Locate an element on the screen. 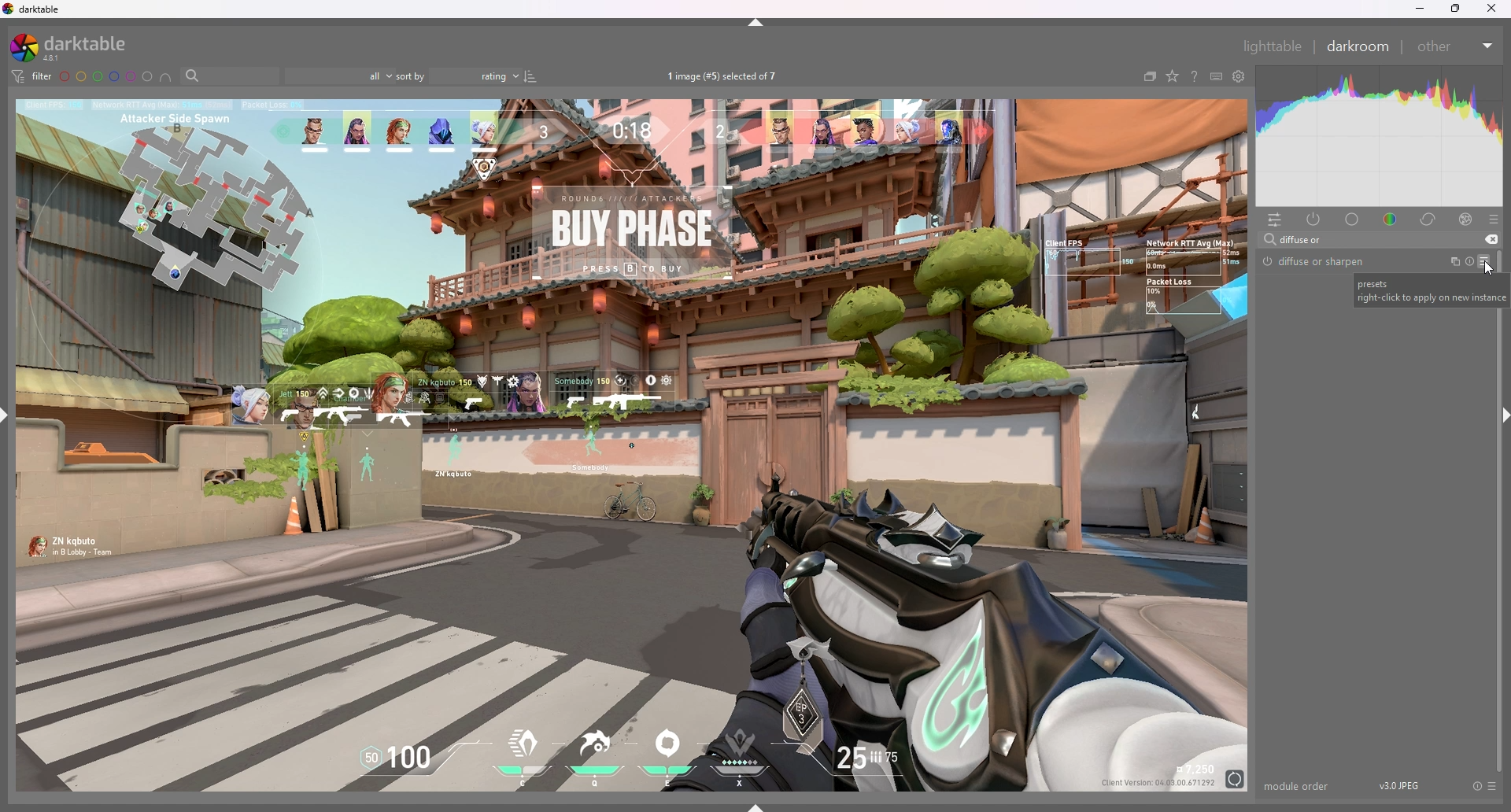 This screenshot has width=1511, height=812. online help is located at coordinates (1195, 76).